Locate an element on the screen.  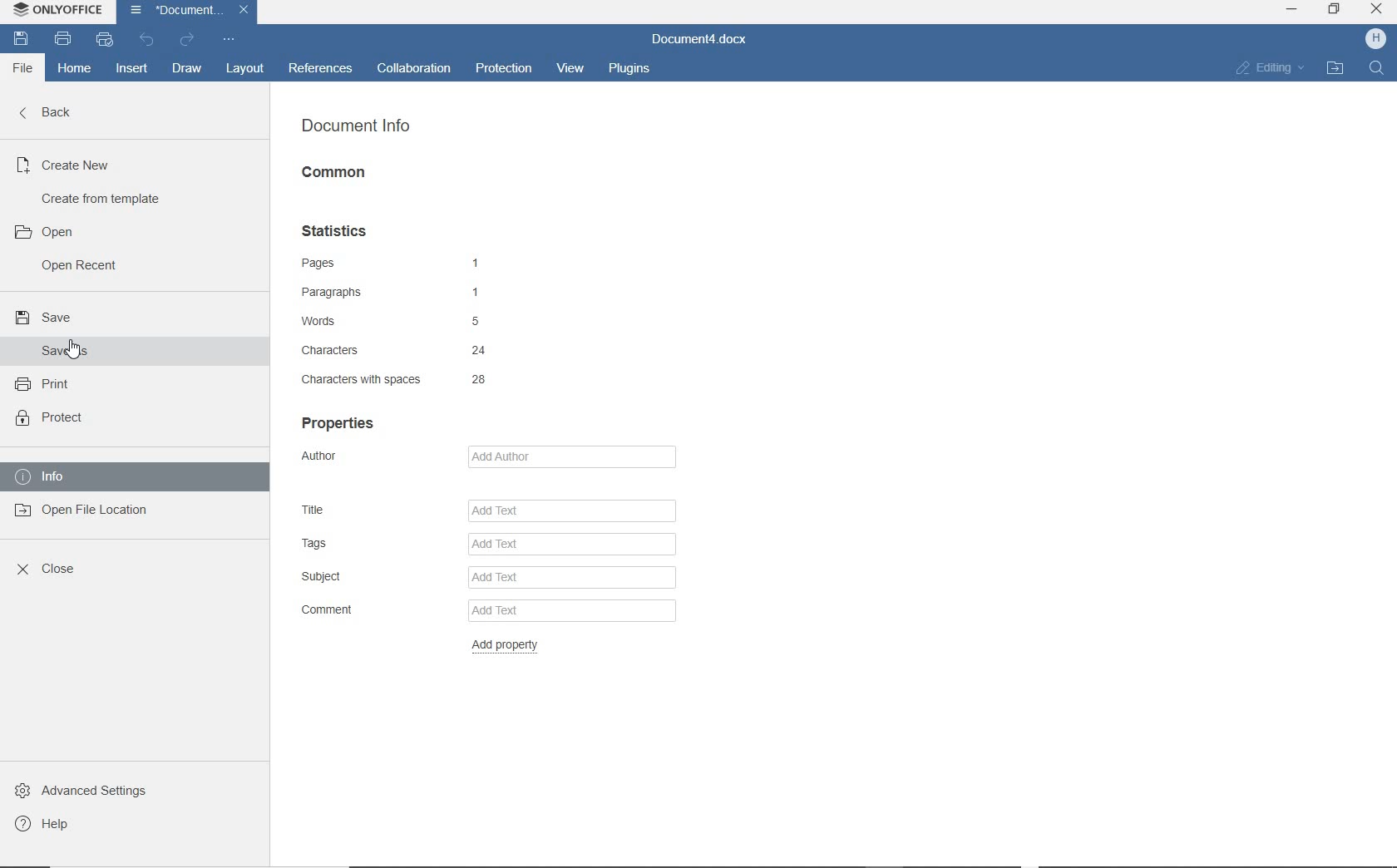
comment is located at coordinates (353, 611).